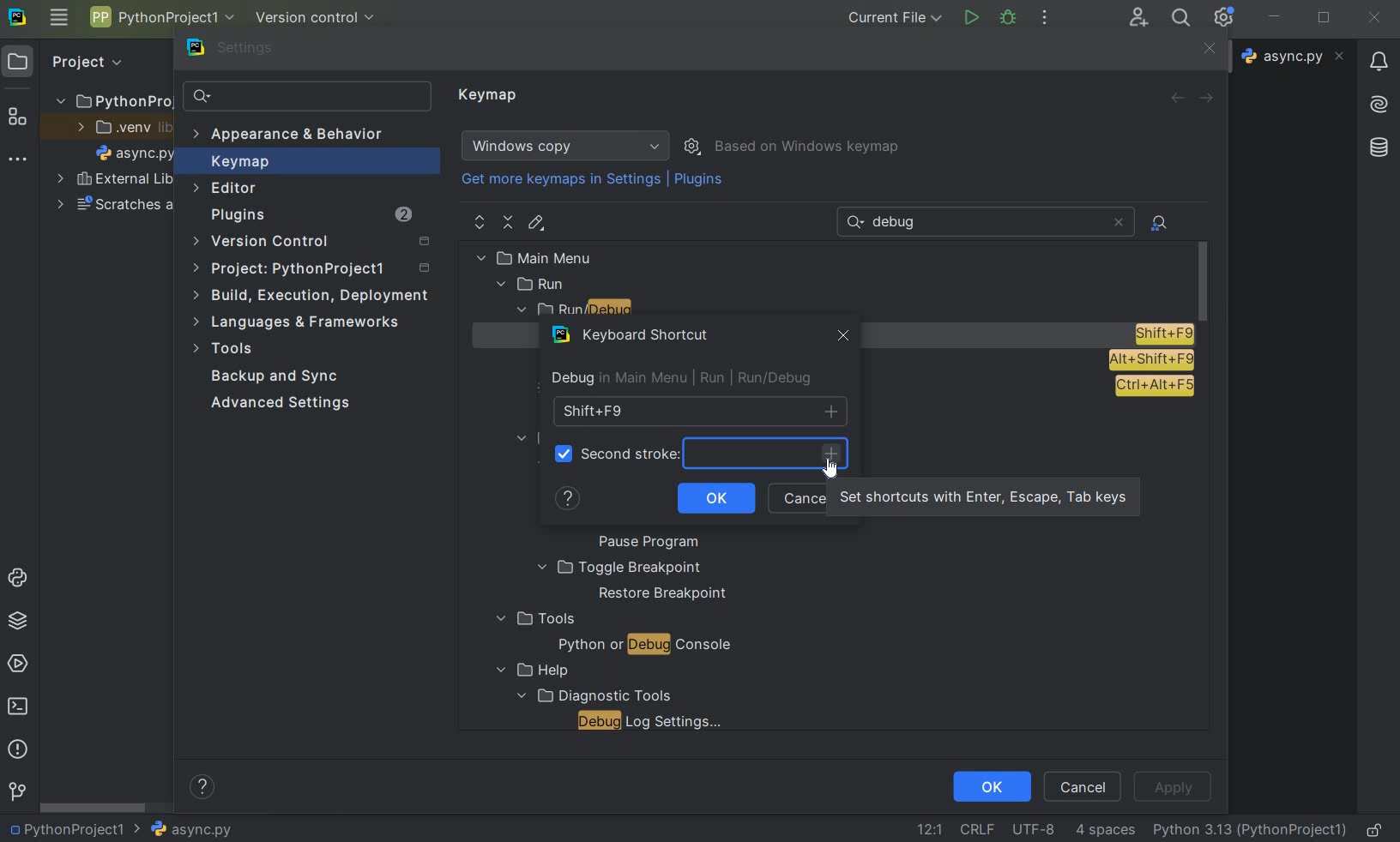  Describe the element at coordinates (310, 217) in the screenshot. I see `plugins` at that location.